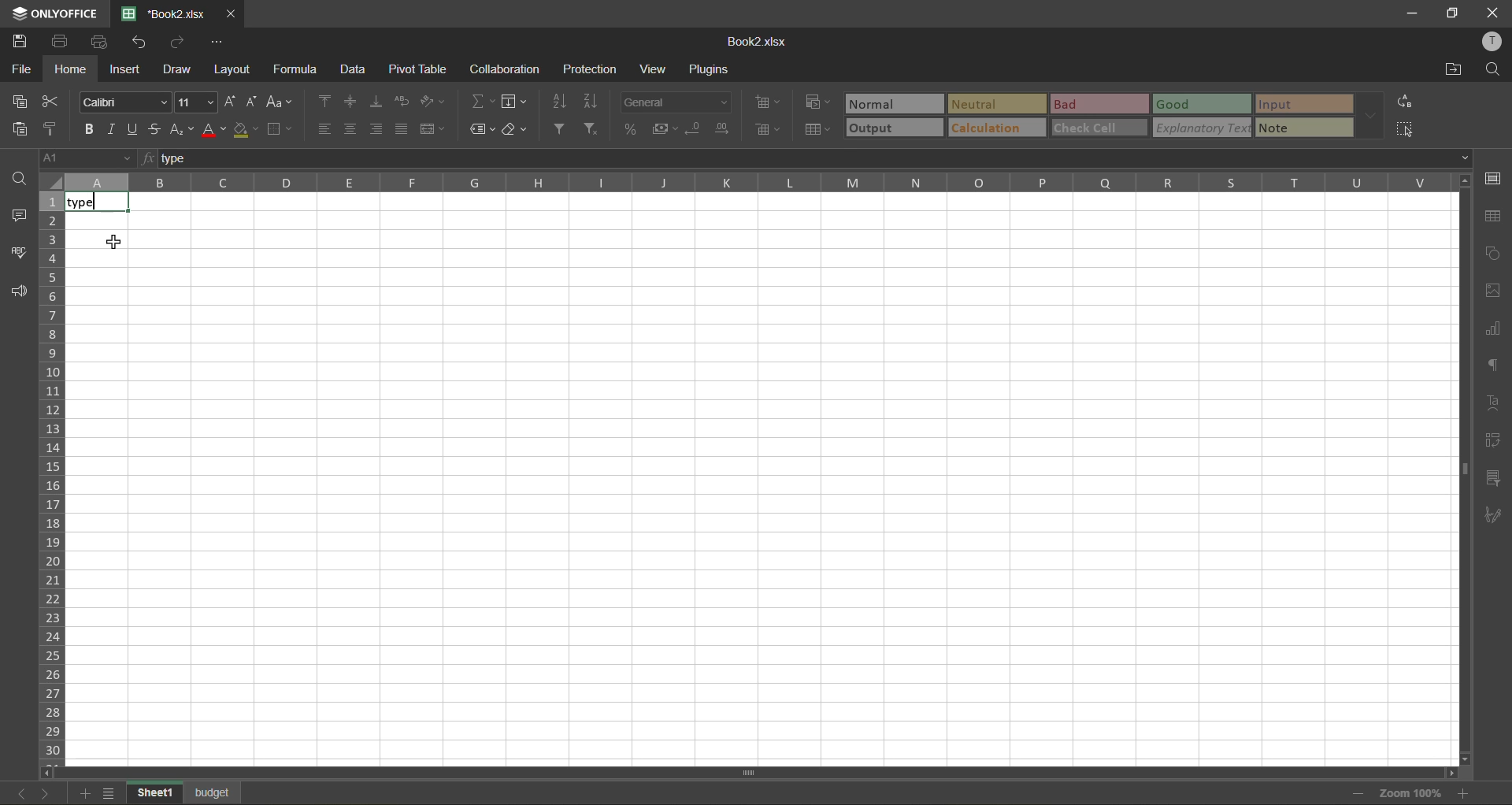 The image size is (1512, 805). What do you see at coordinates (1495, 366) in the screenshot?
I see `paragraph` at bounding box center [1495, 366].